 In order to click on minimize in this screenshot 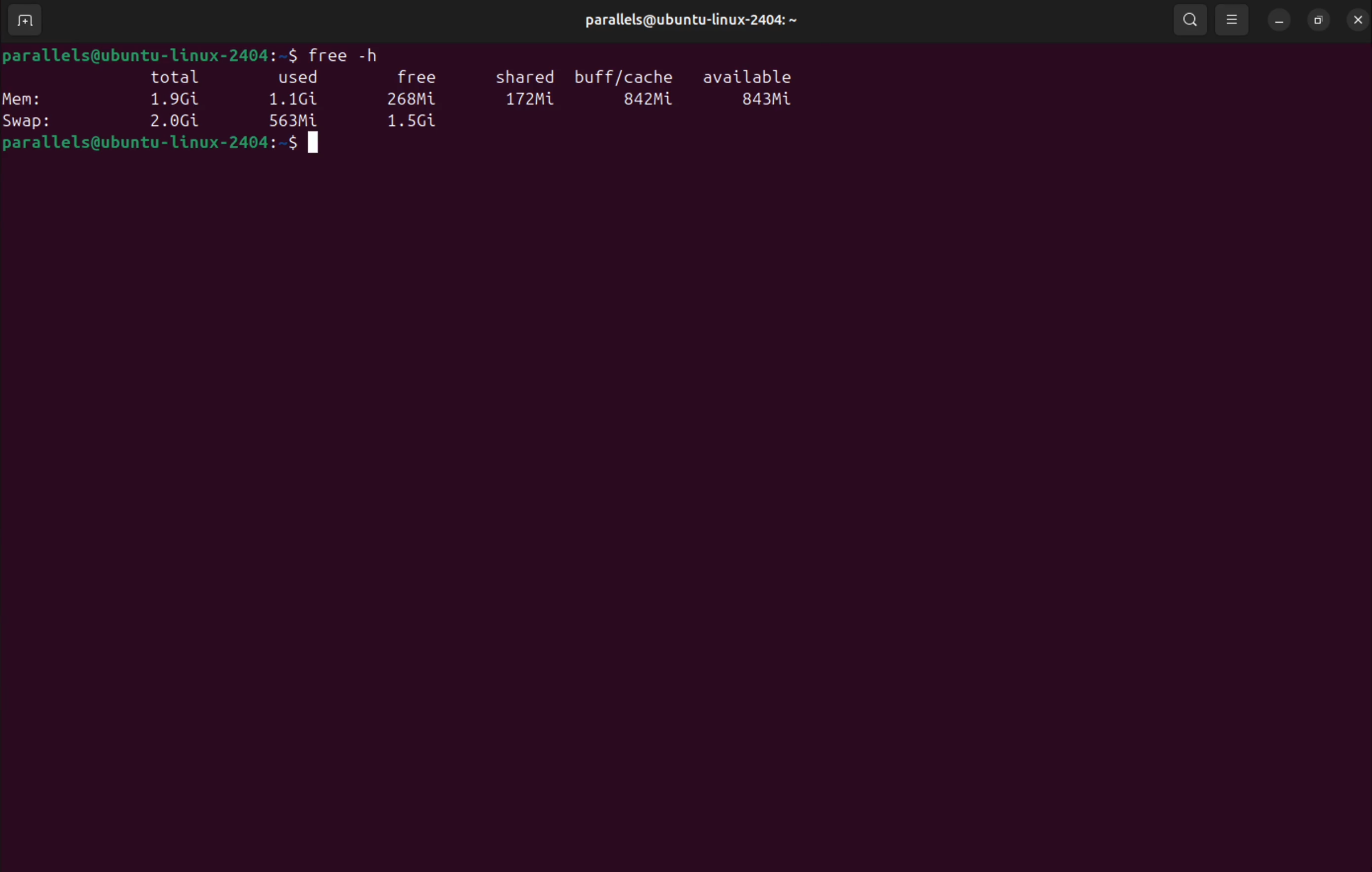, I will do `click(1278, 21)`.